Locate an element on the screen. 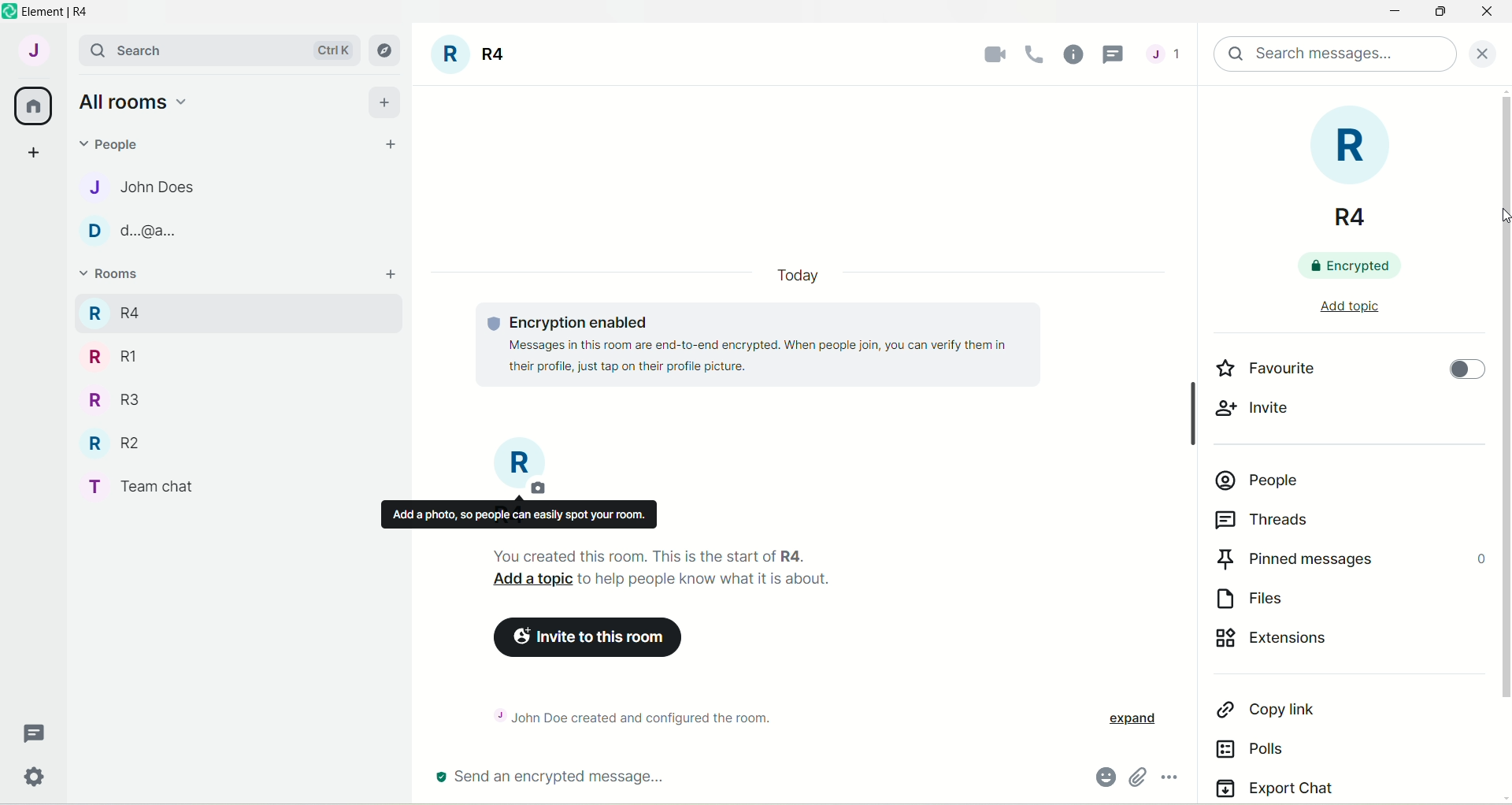 This screenshot has height=805, width=1512. T Team chat is located at coordinates (150, 484).